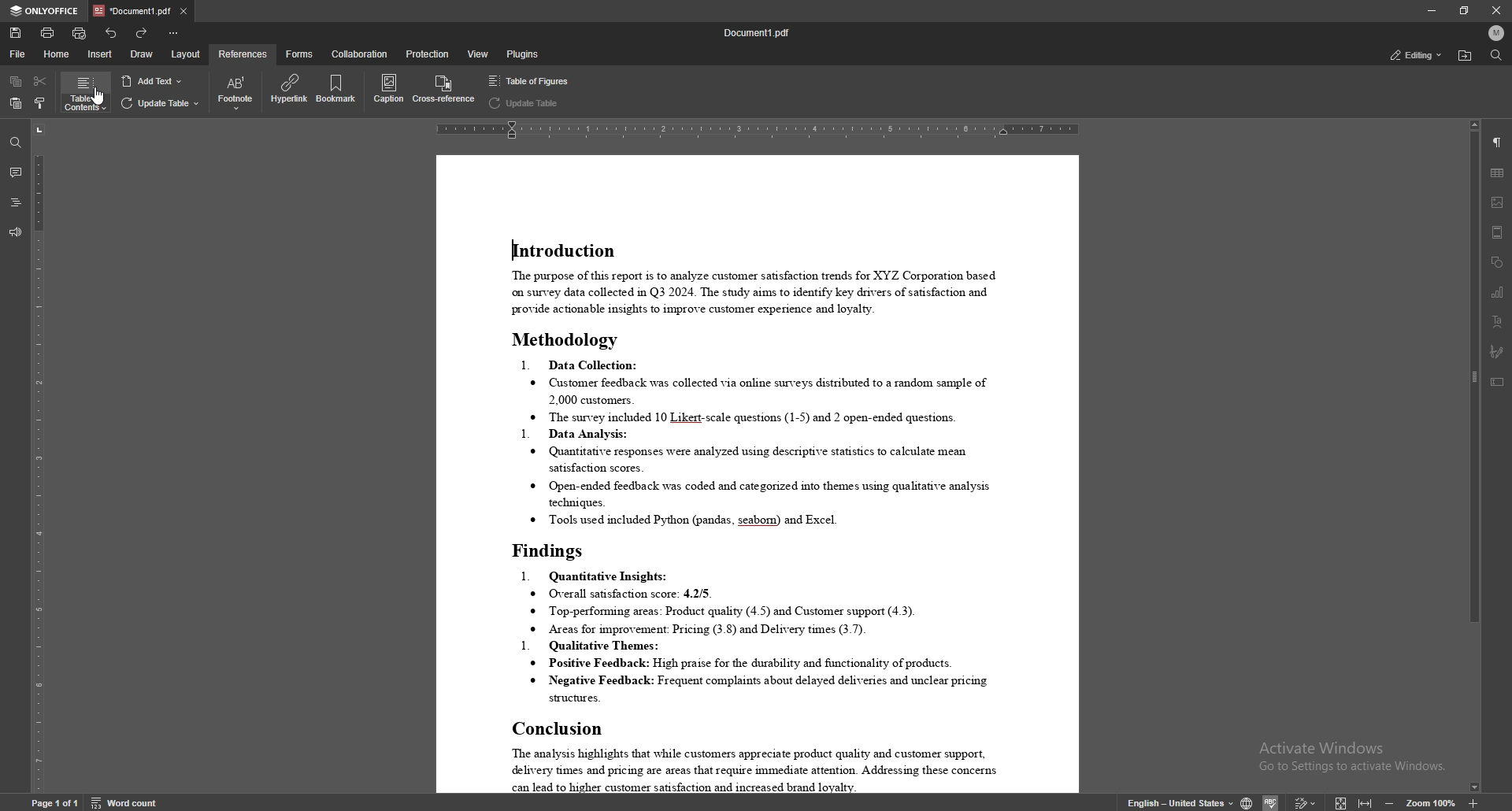 This screenshot has height=811, width=1512. Describe the element at coordinates (1417, 55) in the screenshot. I see `status` at that location.